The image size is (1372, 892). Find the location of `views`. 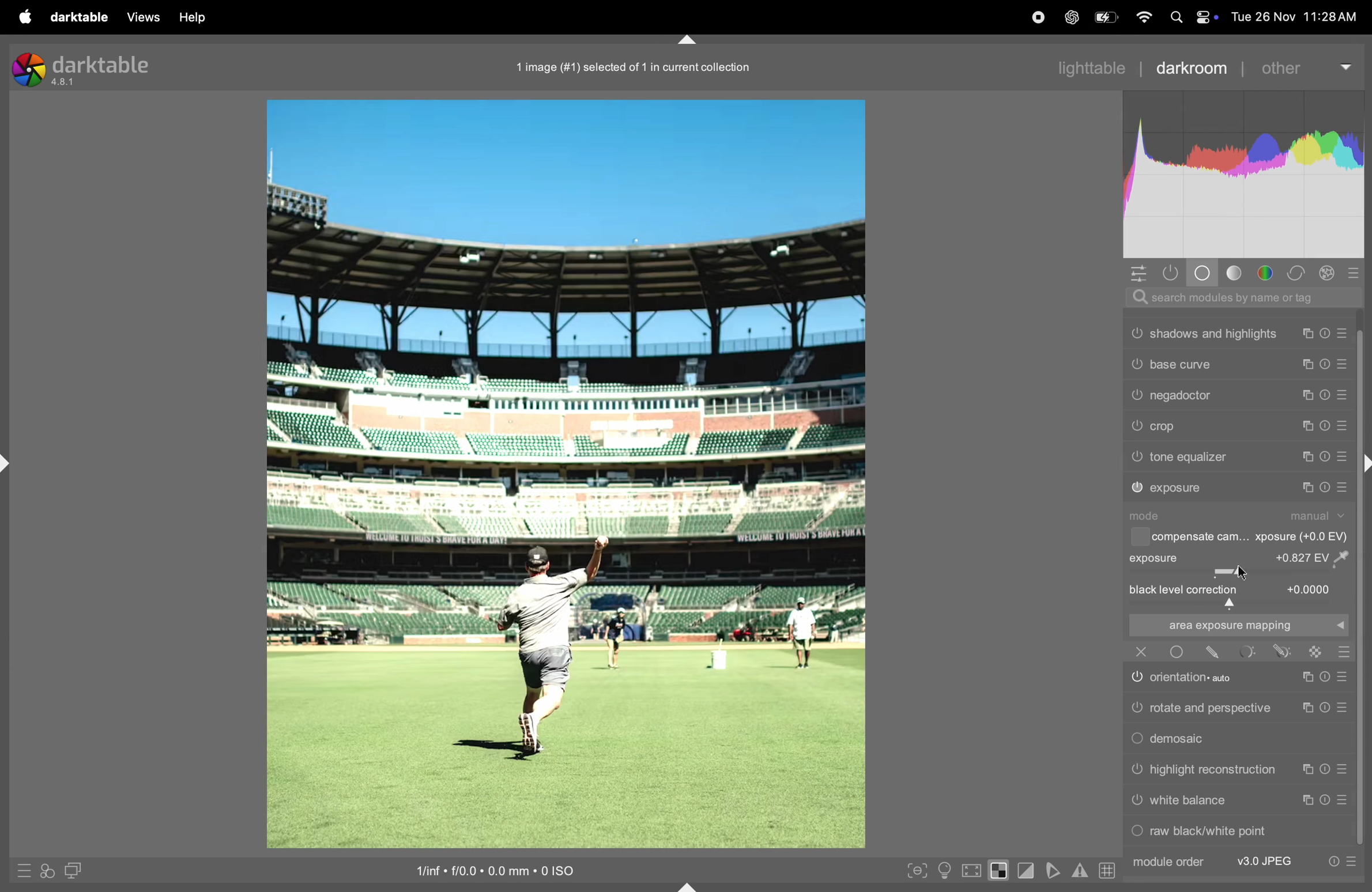

views is located at coordinates (140, 17).